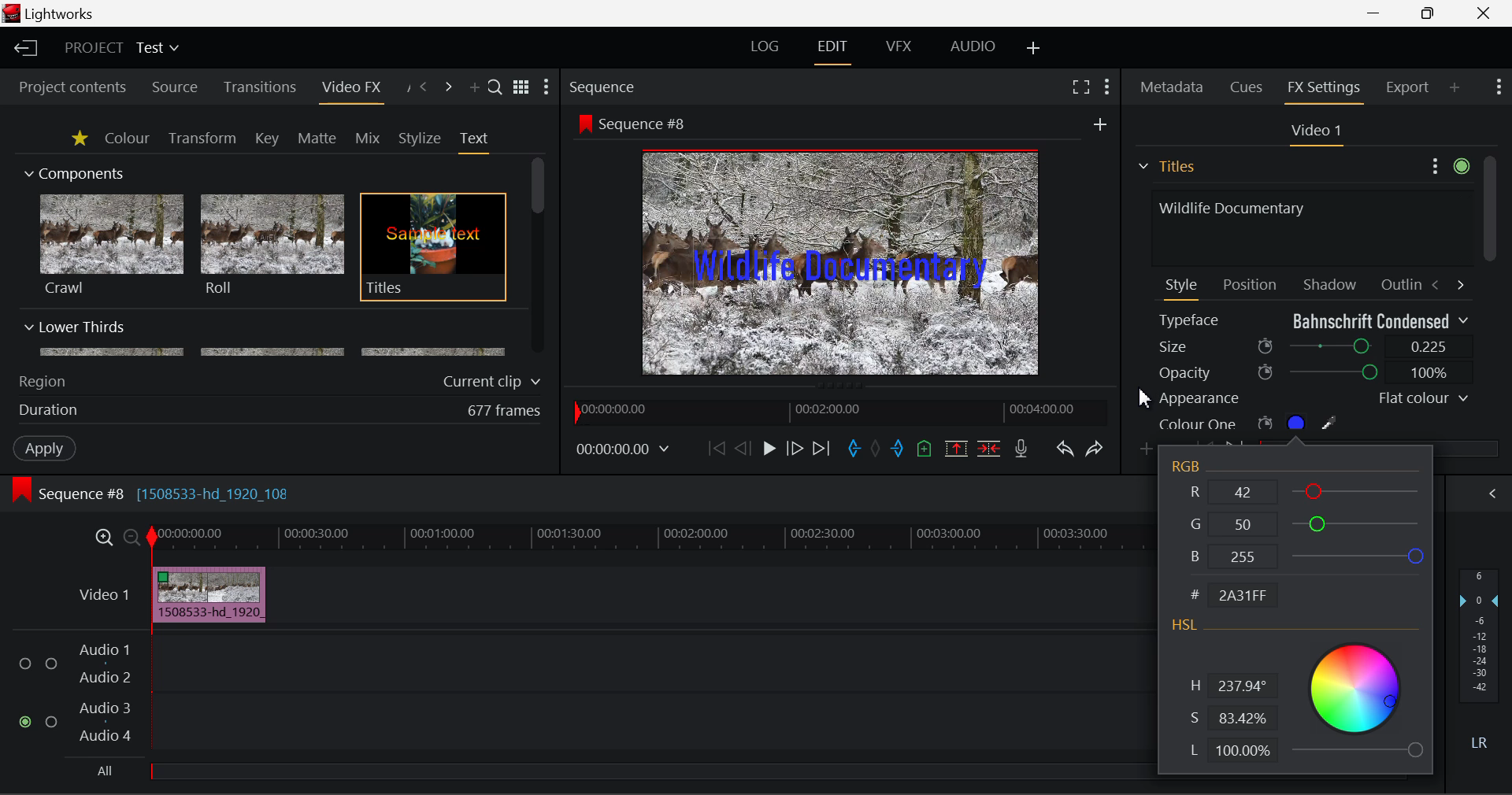  I want to click on Show Settings, so click(1109, 87).